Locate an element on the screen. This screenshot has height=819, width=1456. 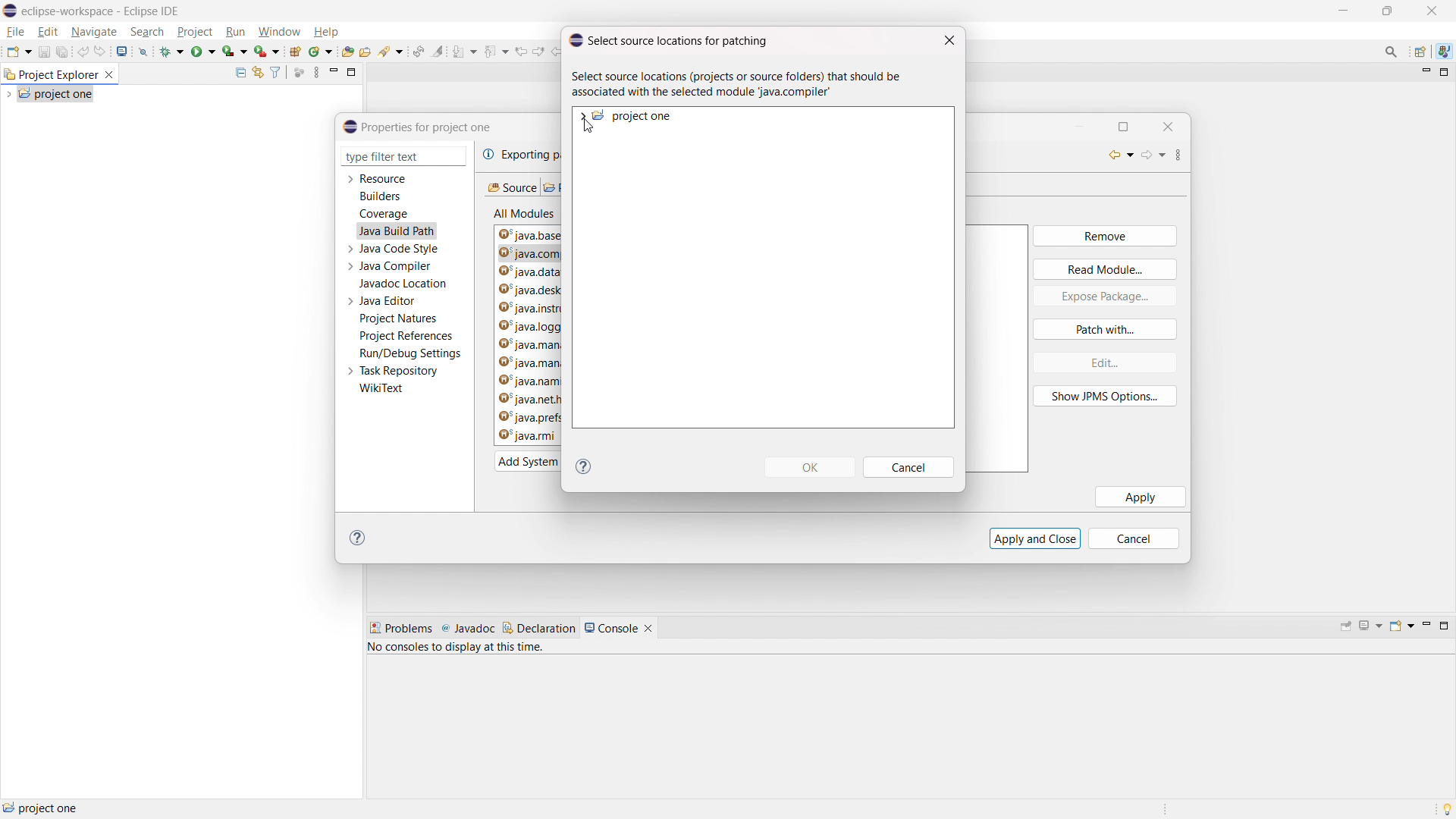
expand resource is located at coordinates (350, 180).